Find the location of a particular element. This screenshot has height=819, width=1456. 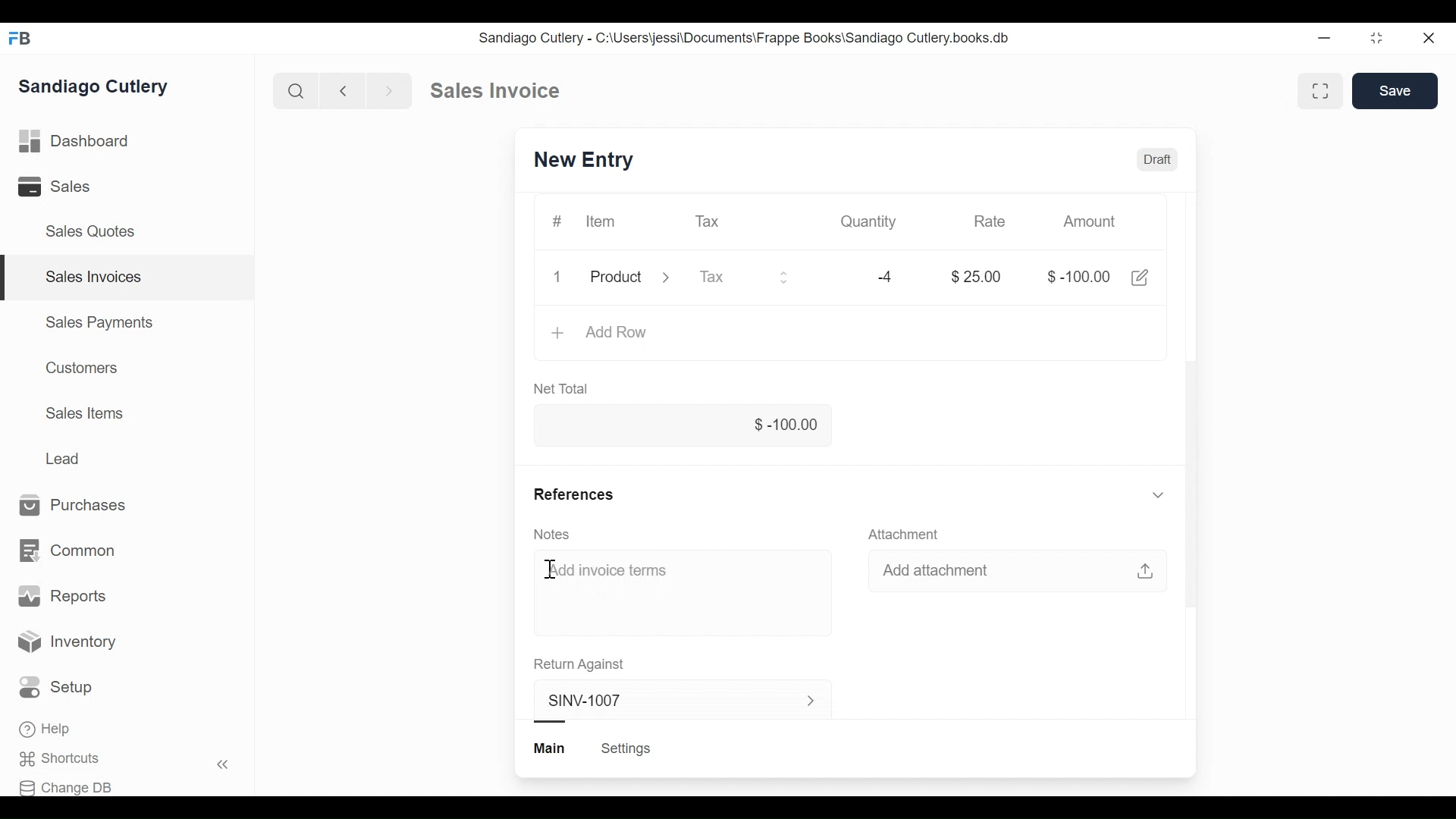

Quantity is located at coordinates (871, 221).